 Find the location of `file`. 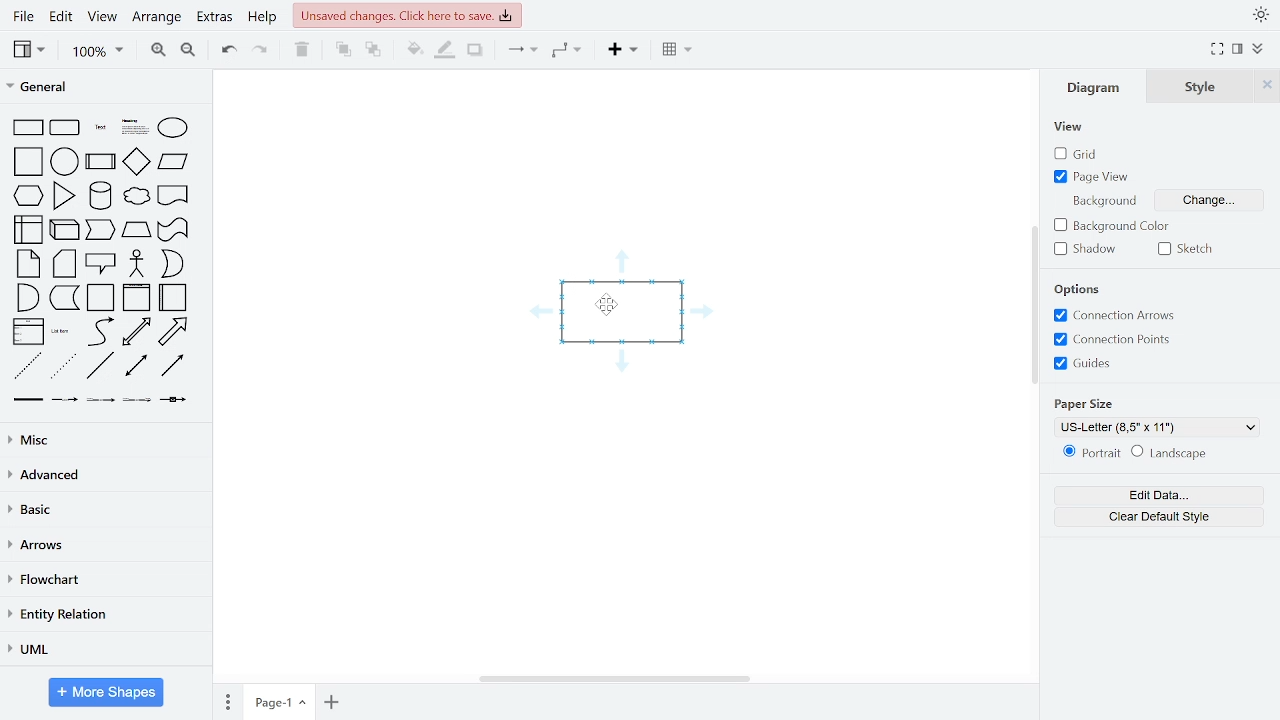

file is located at coordinates (22, 16).